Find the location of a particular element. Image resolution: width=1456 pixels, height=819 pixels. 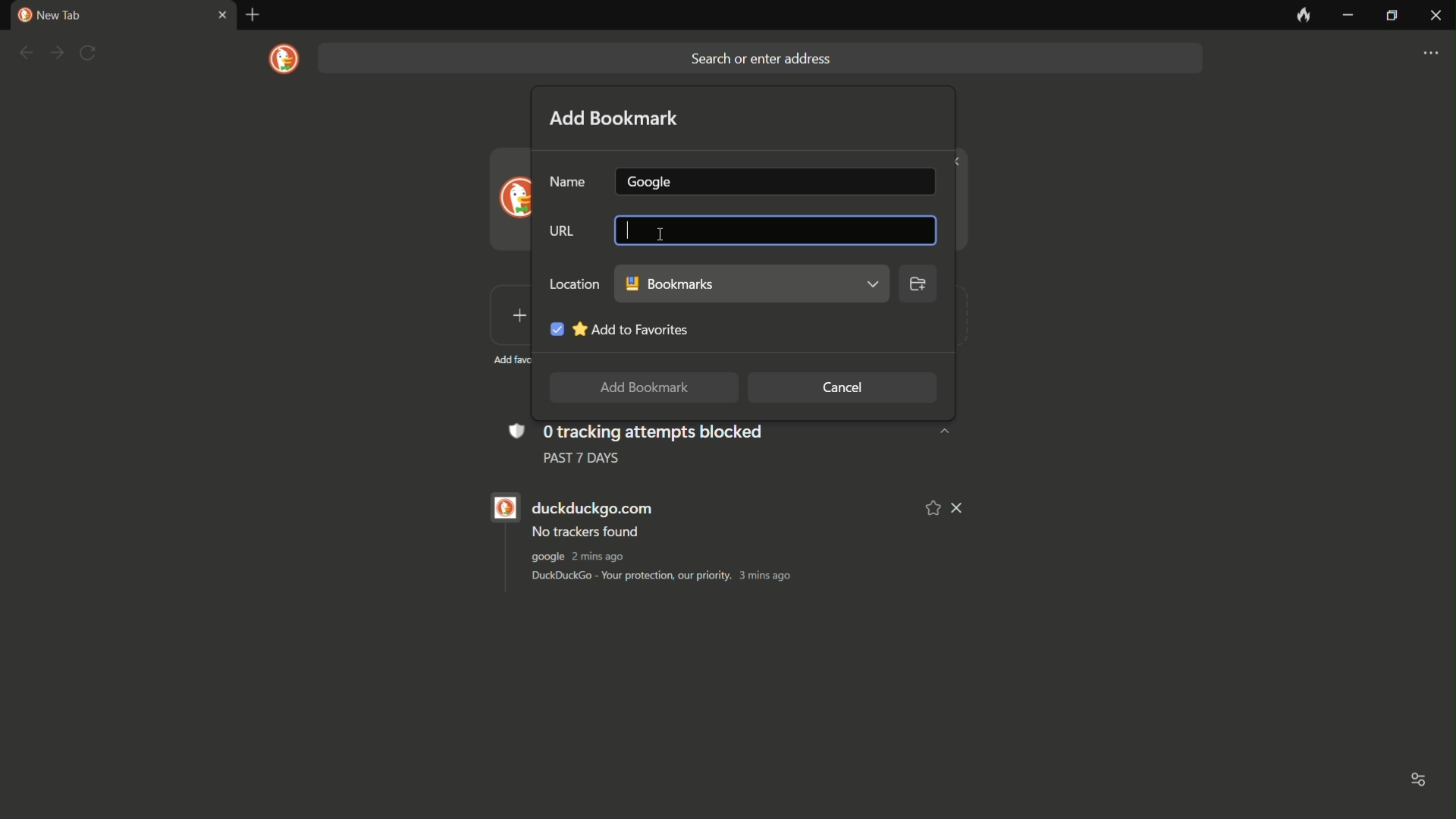

cursor is located at coordinates (658, 234).